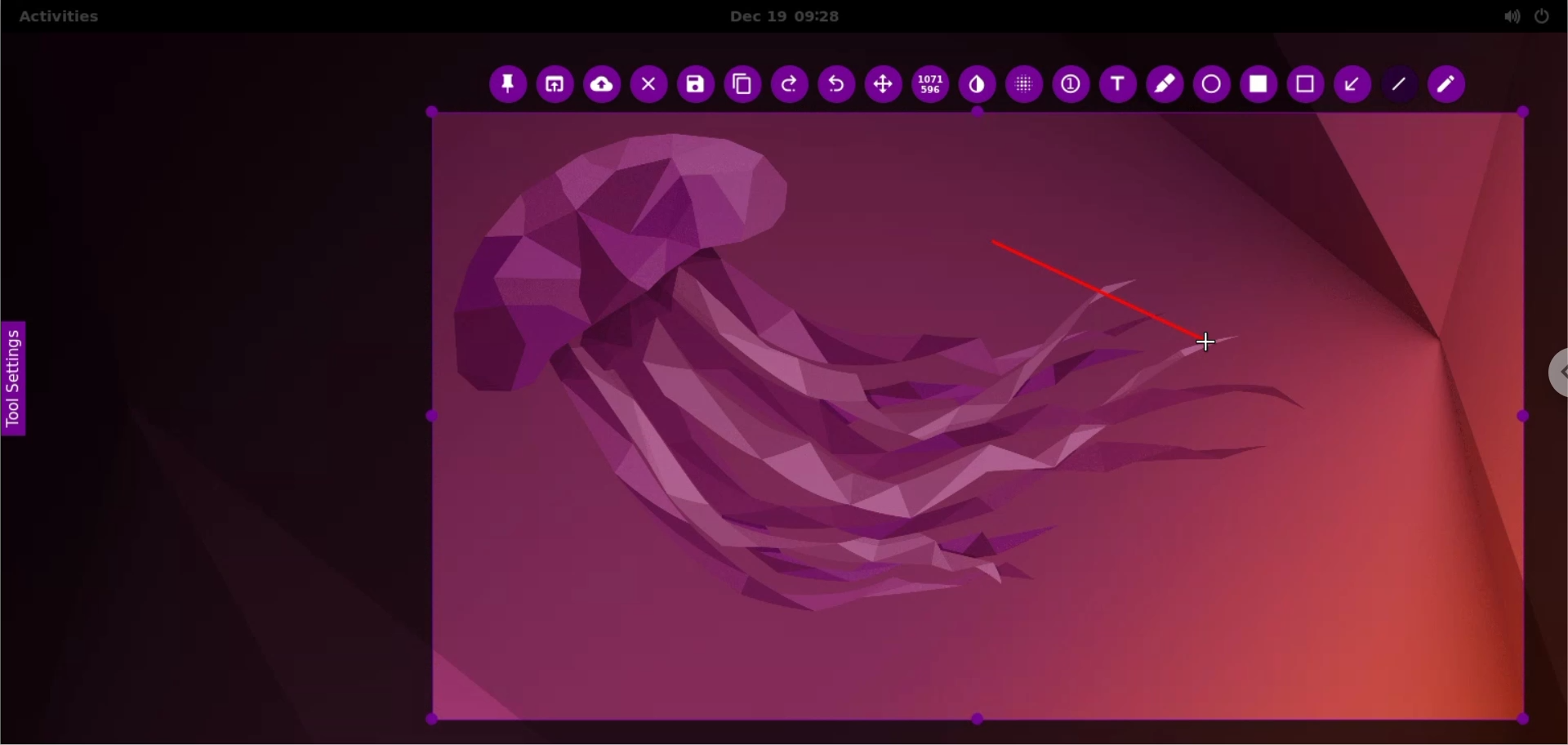 The image size is (1568, 745). Describe the element at coordinates (697, 86) in the screenshot. I see `save` at that location.